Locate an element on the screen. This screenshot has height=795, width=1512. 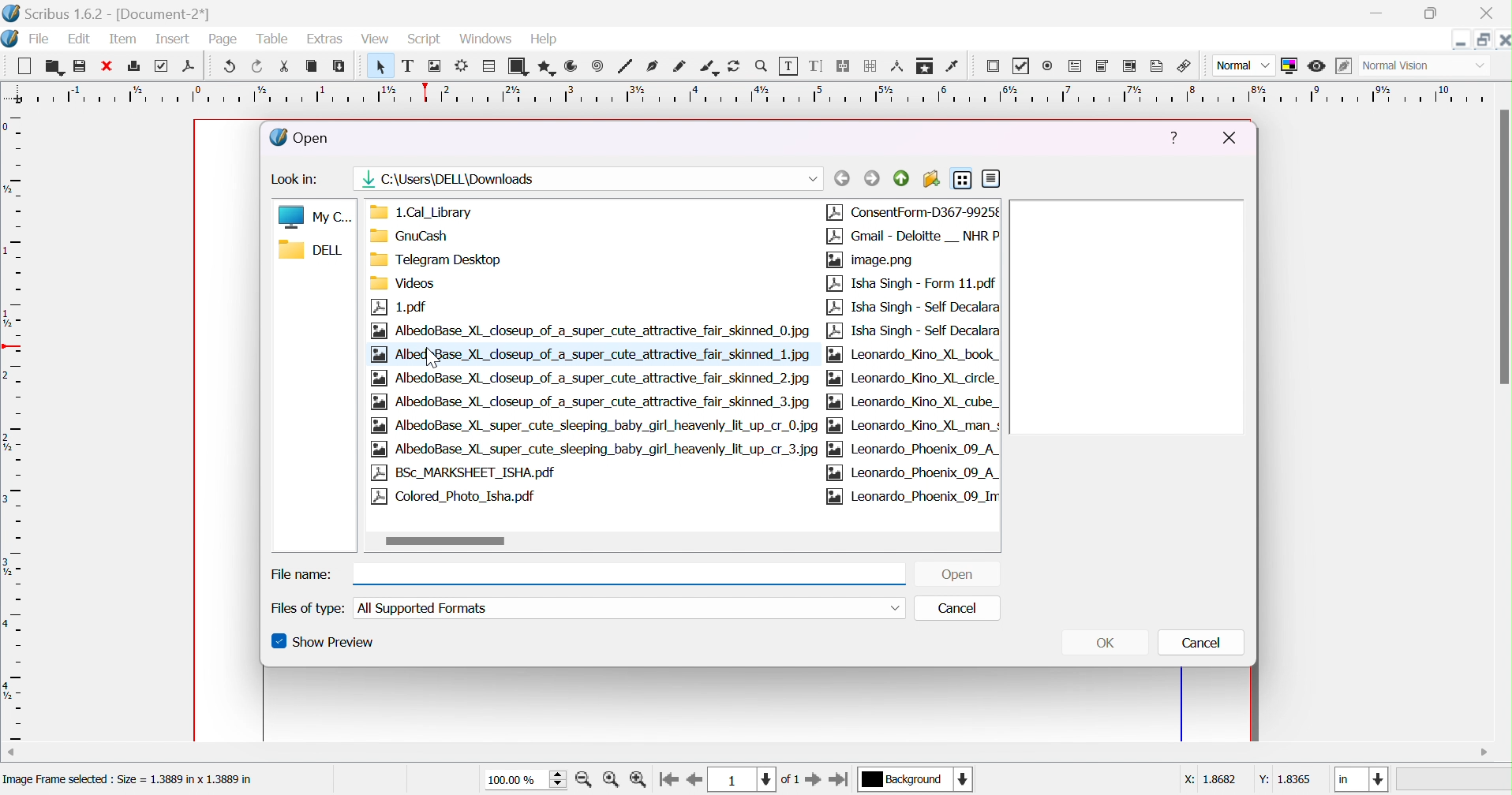
eye dropper is located at coordinates (955, 66).